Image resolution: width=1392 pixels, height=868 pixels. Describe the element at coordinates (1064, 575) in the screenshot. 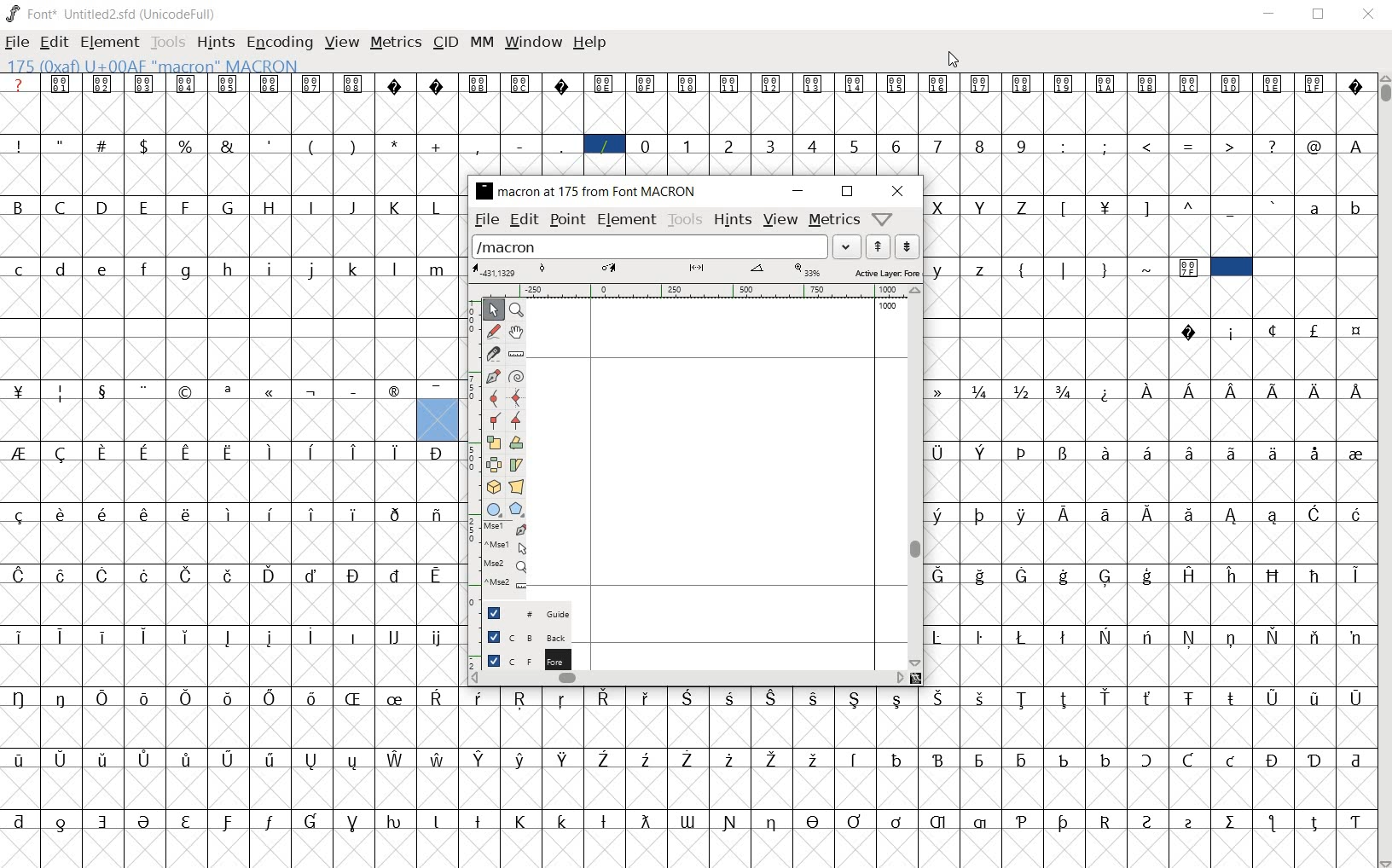

I see `Symbol` at that location.